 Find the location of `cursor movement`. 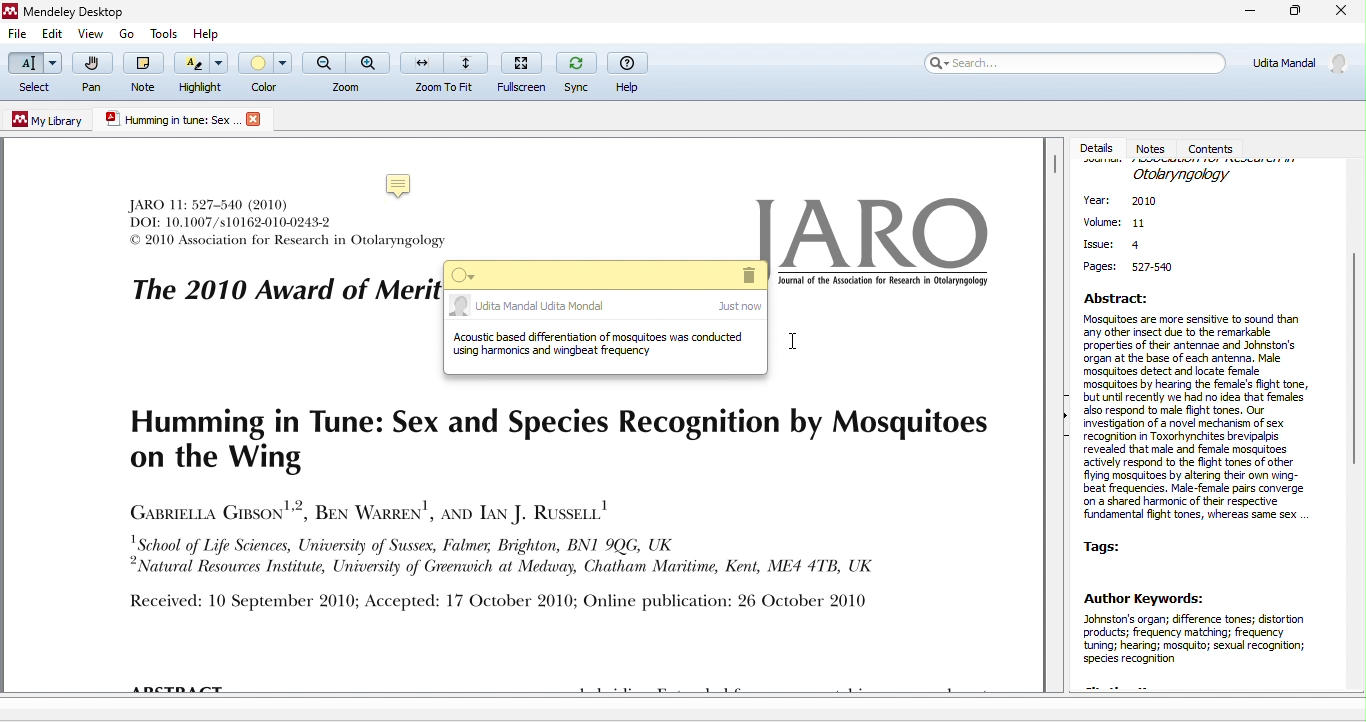

cursor movement is located at coordinates (796, 344).